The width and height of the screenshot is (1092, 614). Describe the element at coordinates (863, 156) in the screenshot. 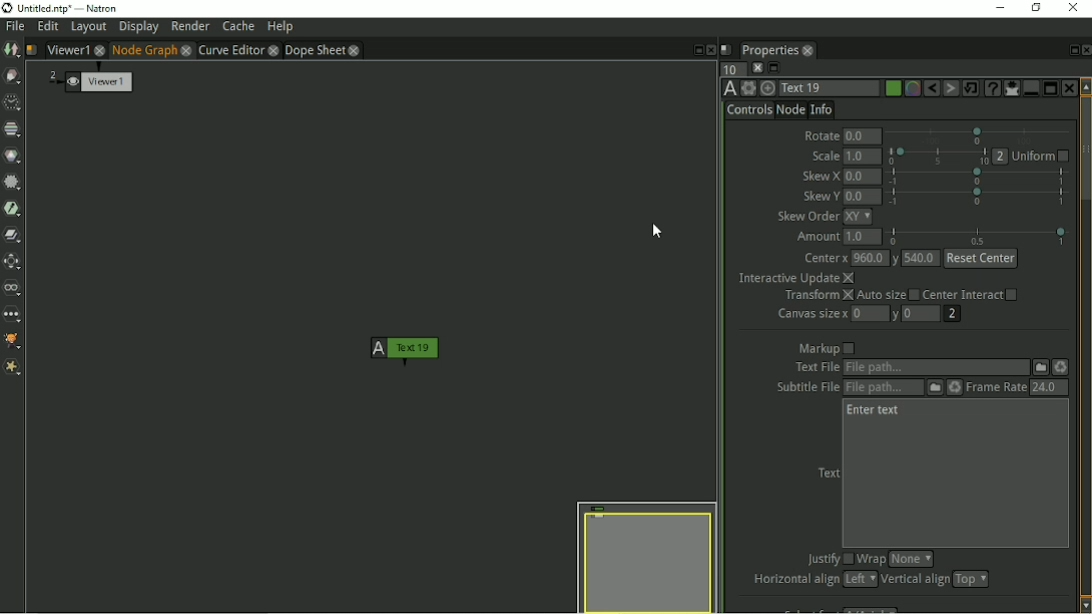

I see `1.0` at that location.